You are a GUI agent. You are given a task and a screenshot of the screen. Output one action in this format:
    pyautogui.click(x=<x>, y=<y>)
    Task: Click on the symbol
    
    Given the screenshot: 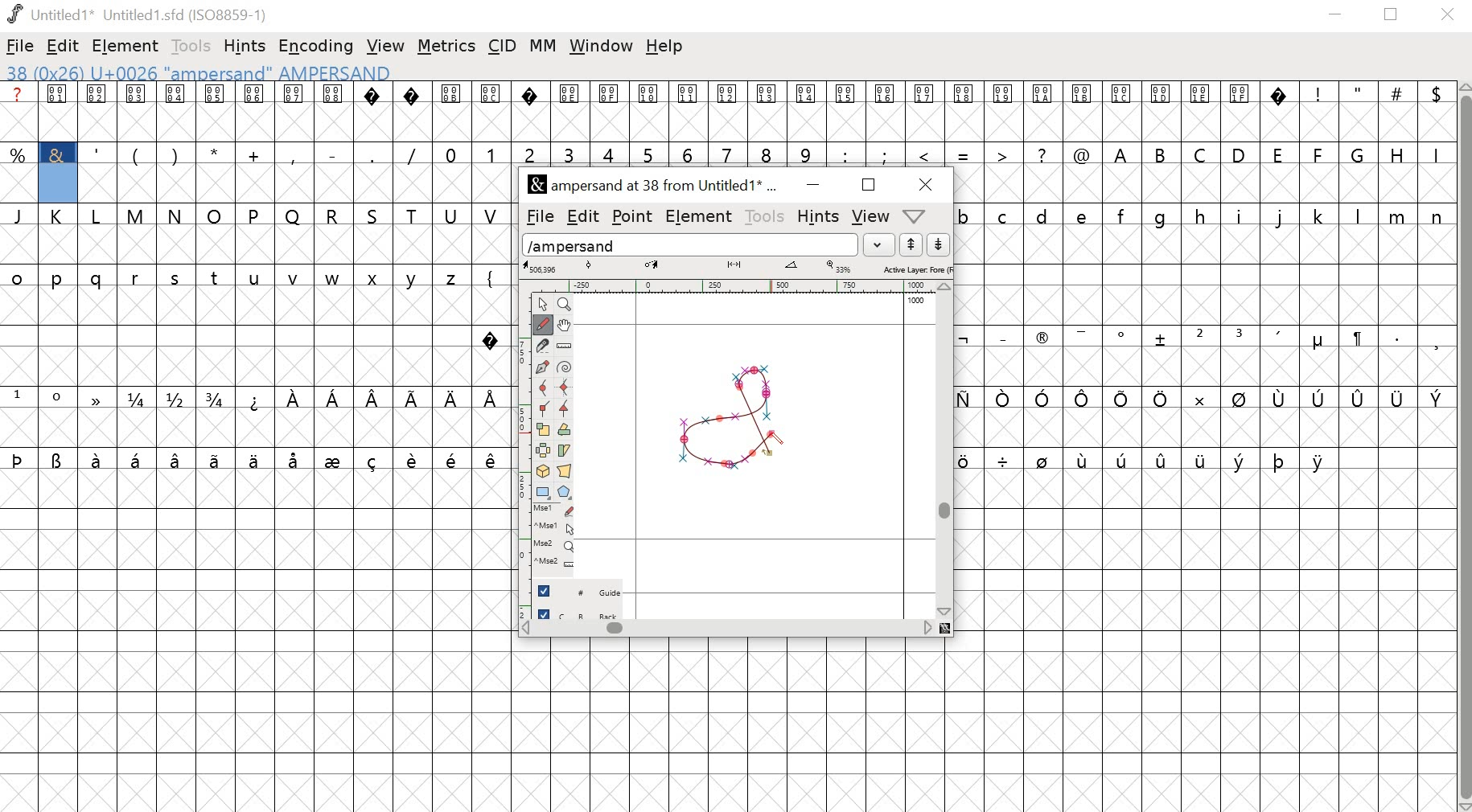 What is the action you would take?
    pyautogui.click(x=1321, y=461)
    